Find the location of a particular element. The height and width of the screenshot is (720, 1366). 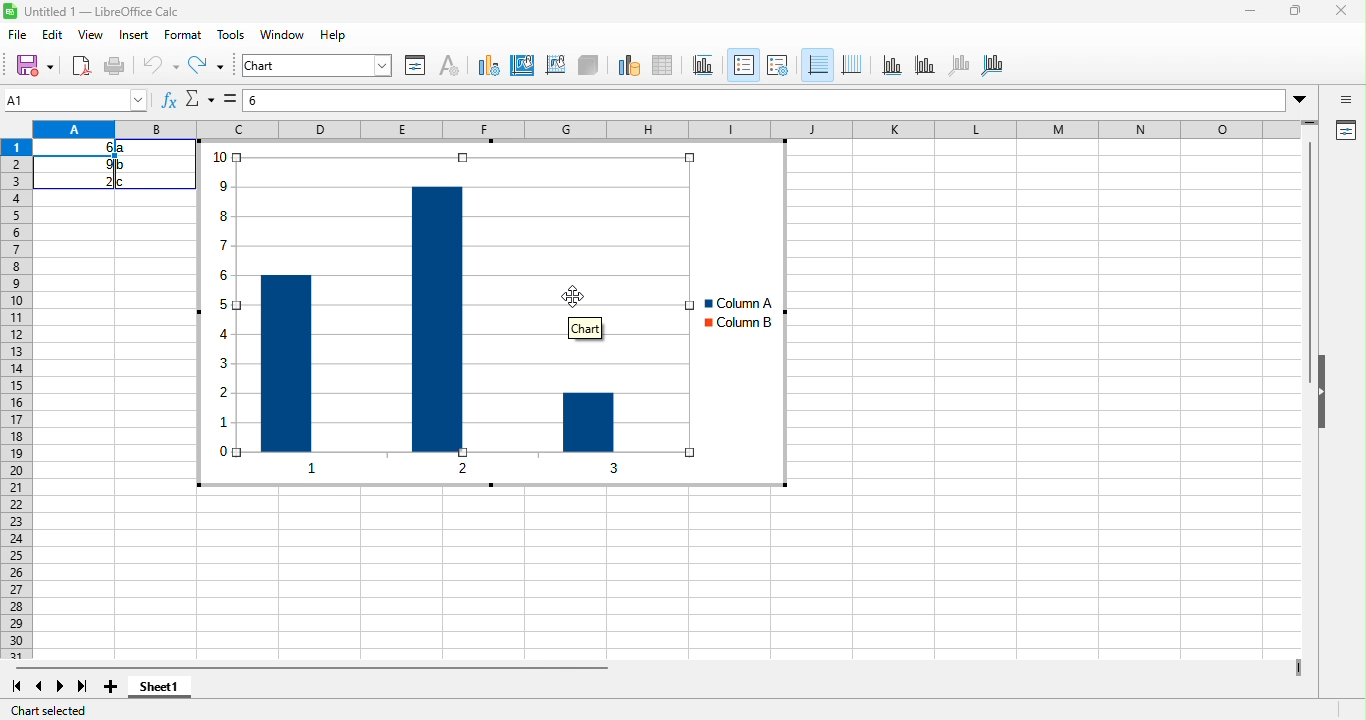

b is located at coordinates (122, 165).